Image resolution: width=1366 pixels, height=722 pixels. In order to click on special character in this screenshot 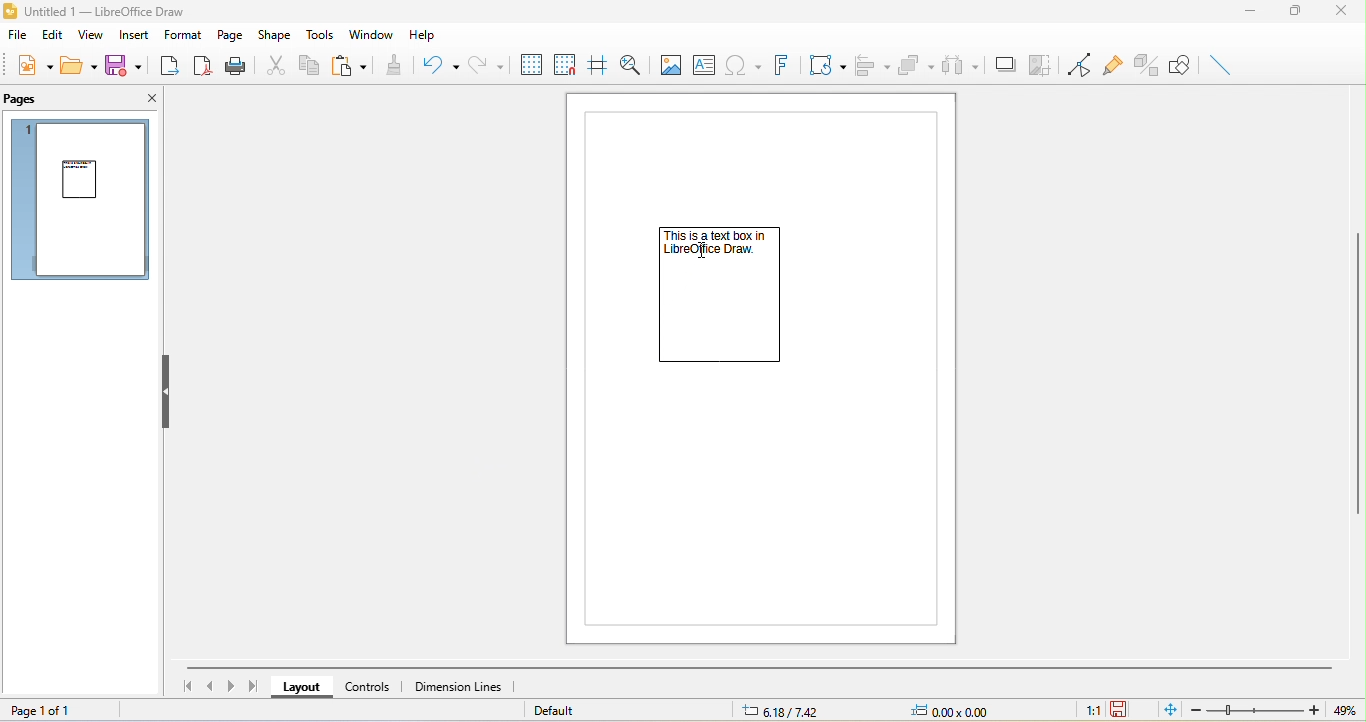, I will do `click(745, 66)`.